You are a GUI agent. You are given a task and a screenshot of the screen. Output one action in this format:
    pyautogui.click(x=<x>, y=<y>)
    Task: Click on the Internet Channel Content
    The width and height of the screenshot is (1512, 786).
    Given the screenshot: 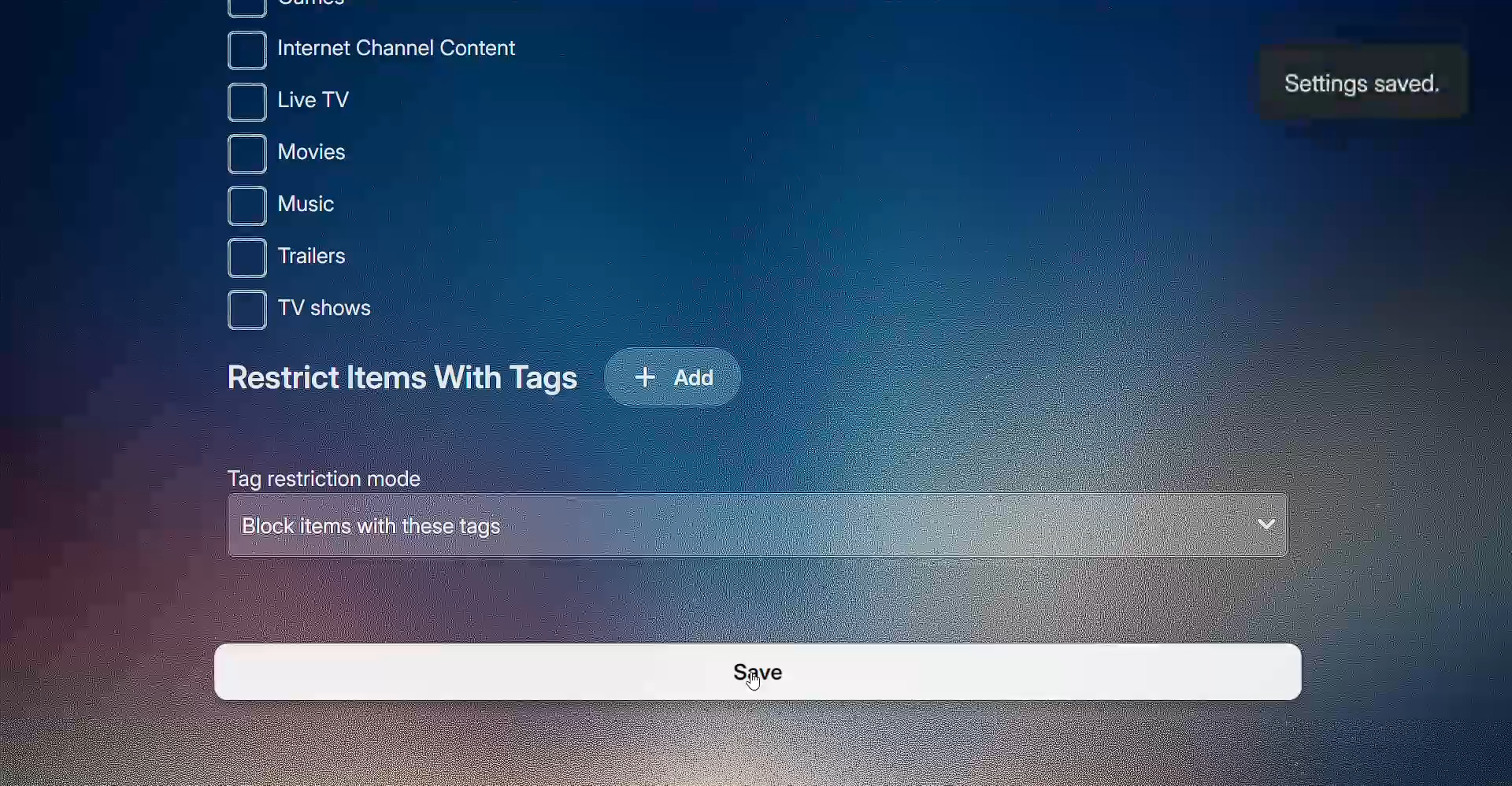 What is the action you would take?
    pyautogui.click(x=384, y=49)
    